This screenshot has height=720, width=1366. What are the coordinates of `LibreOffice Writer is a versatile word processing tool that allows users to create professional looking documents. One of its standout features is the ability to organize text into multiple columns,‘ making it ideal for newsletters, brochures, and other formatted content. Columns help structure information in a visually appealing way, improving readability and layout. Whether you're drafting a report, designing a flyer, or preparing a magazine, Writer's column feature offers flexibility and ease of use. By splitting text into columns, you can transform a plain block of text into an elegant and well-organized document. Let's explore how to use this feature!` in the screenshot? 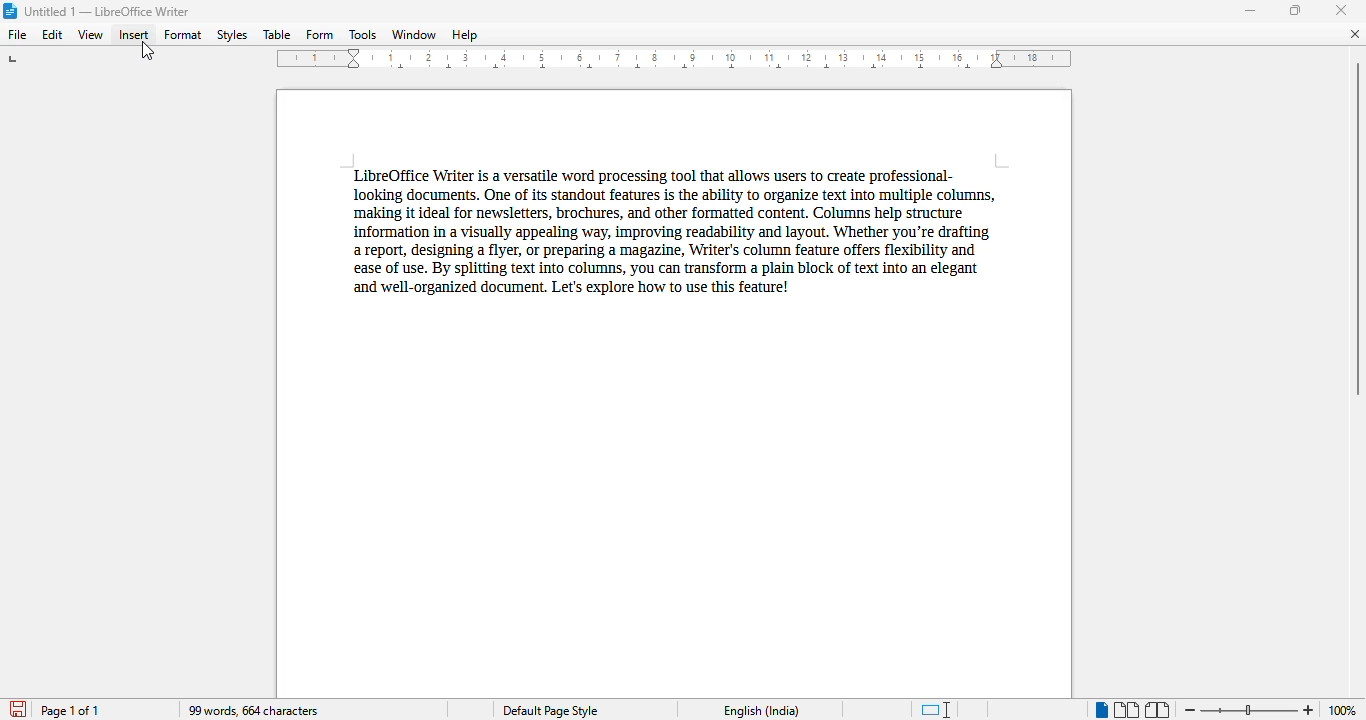 It's located at (669, 230).